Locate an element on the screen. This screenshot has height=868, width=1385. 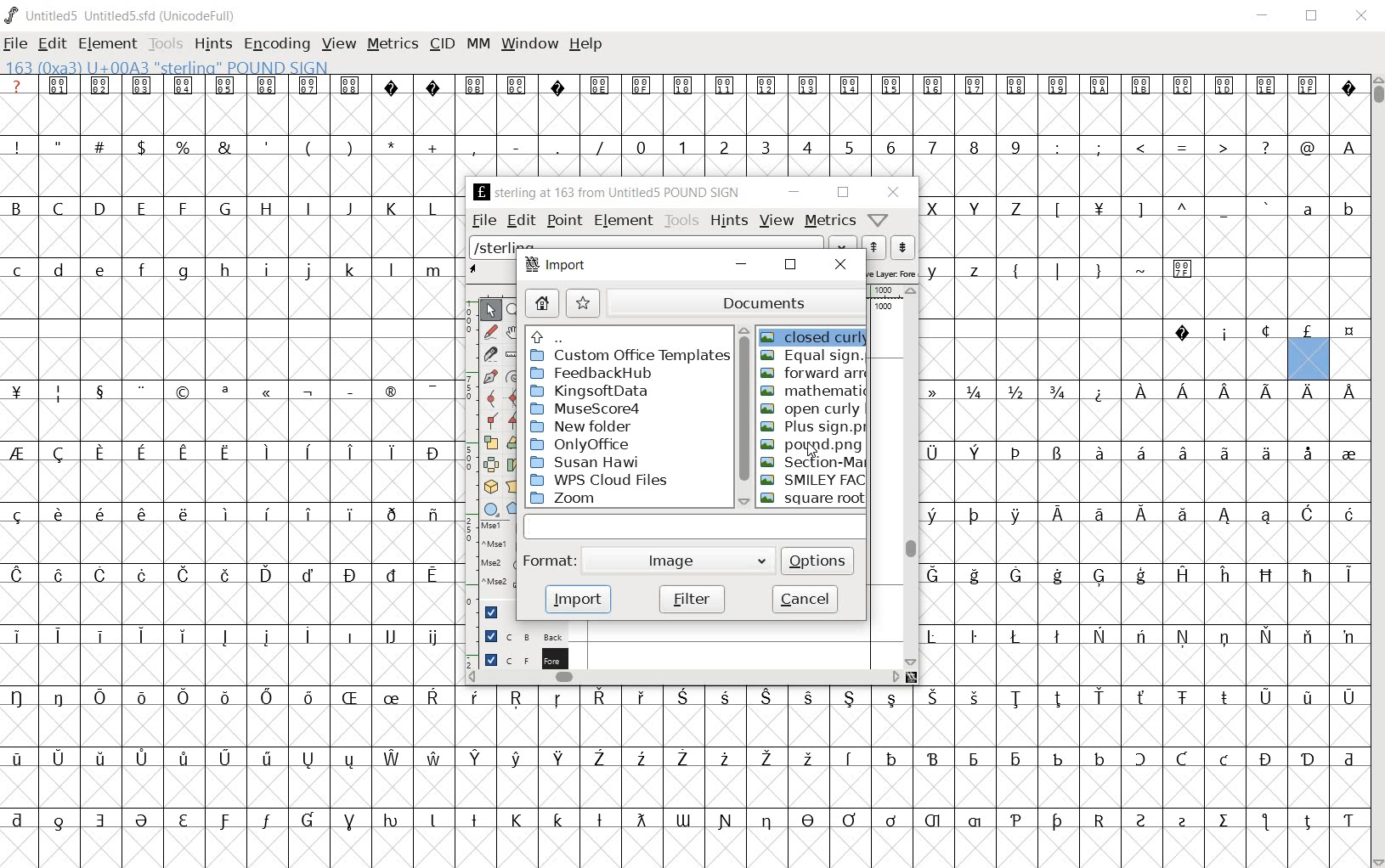
Symbol is located at coordinates (308, 392).